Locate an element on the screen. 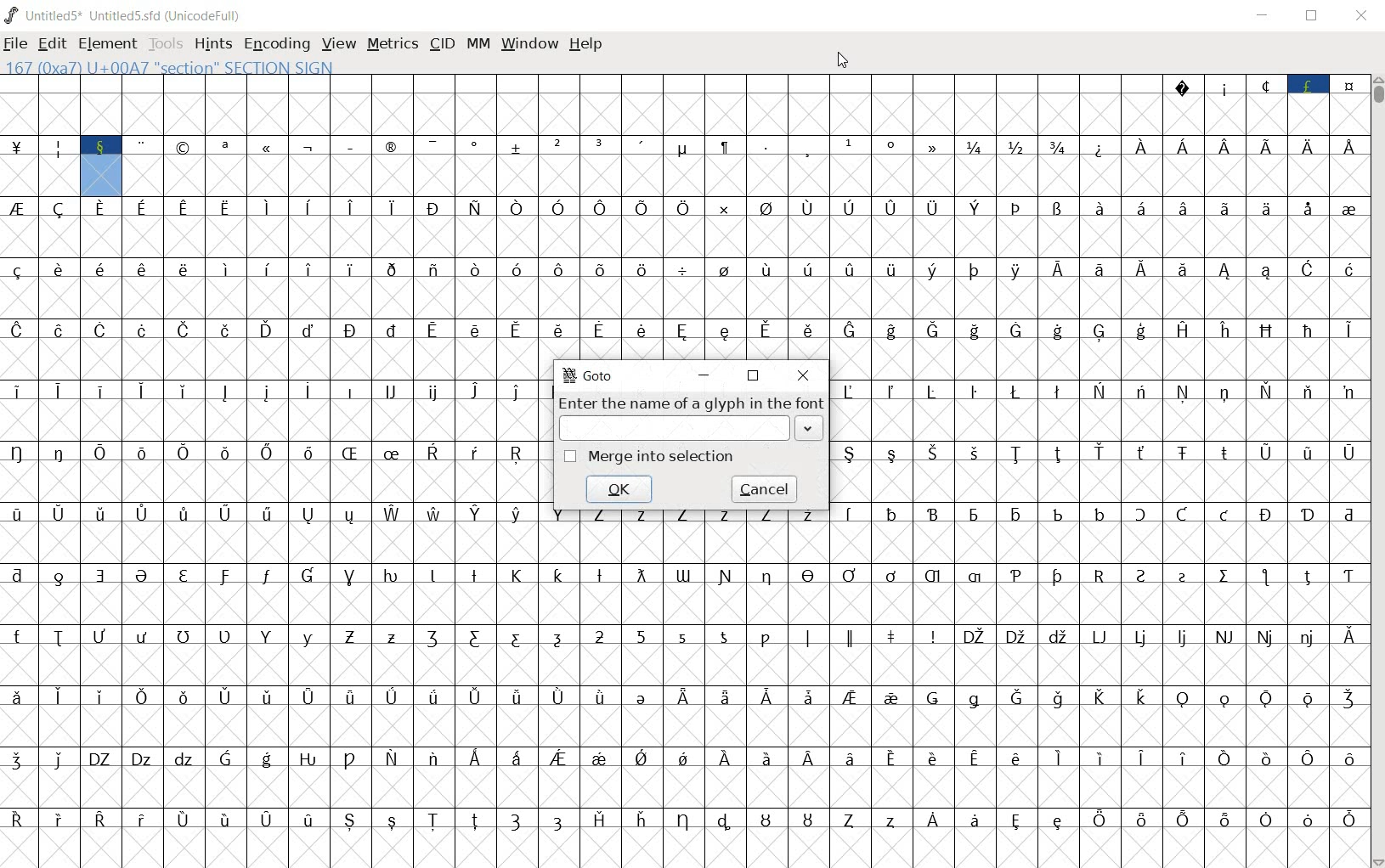  currency is located at coordinates (18, 166).